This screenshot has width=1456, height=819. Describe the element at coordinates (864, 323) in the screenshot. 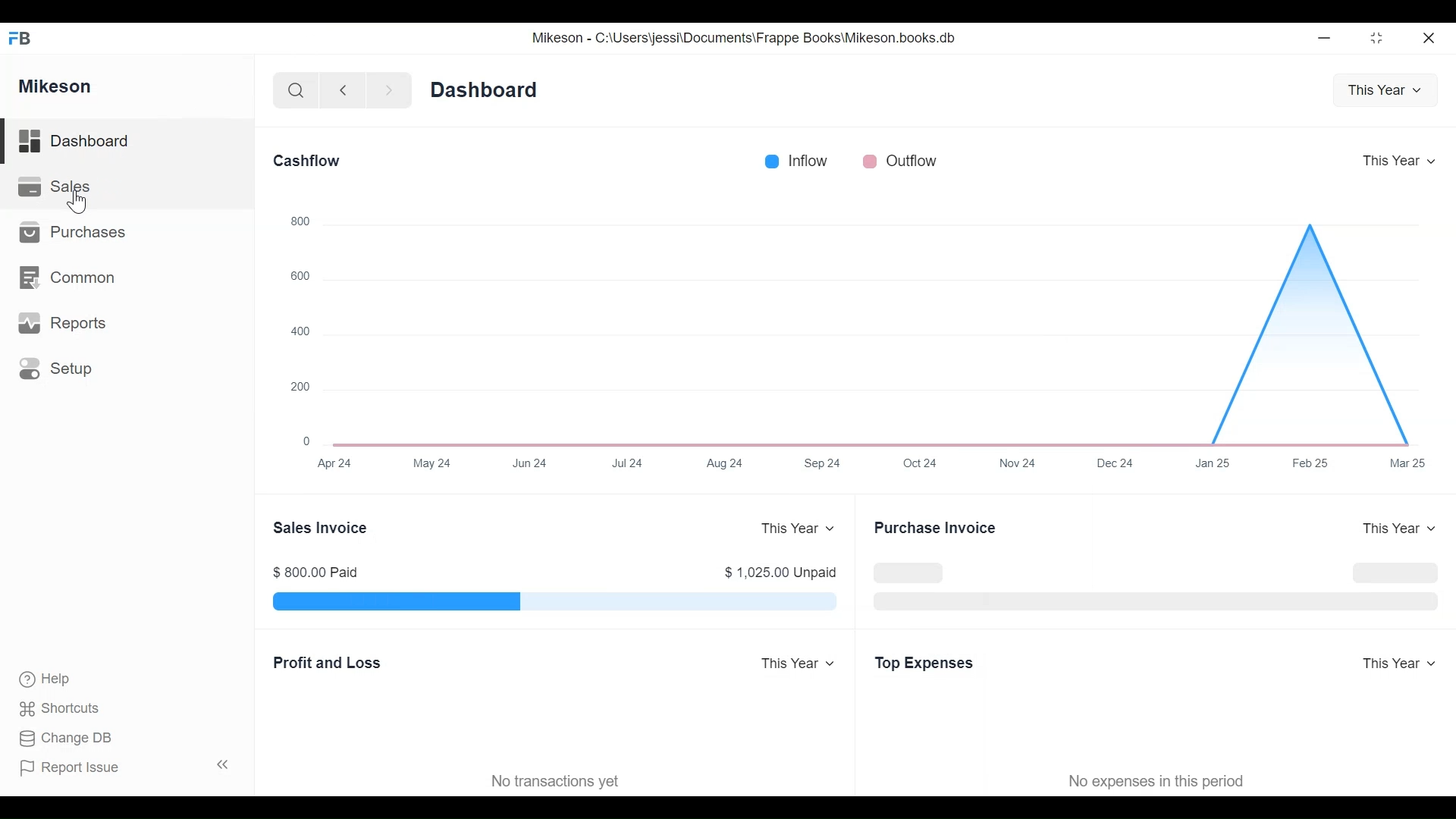

I see `Graph` at that location.